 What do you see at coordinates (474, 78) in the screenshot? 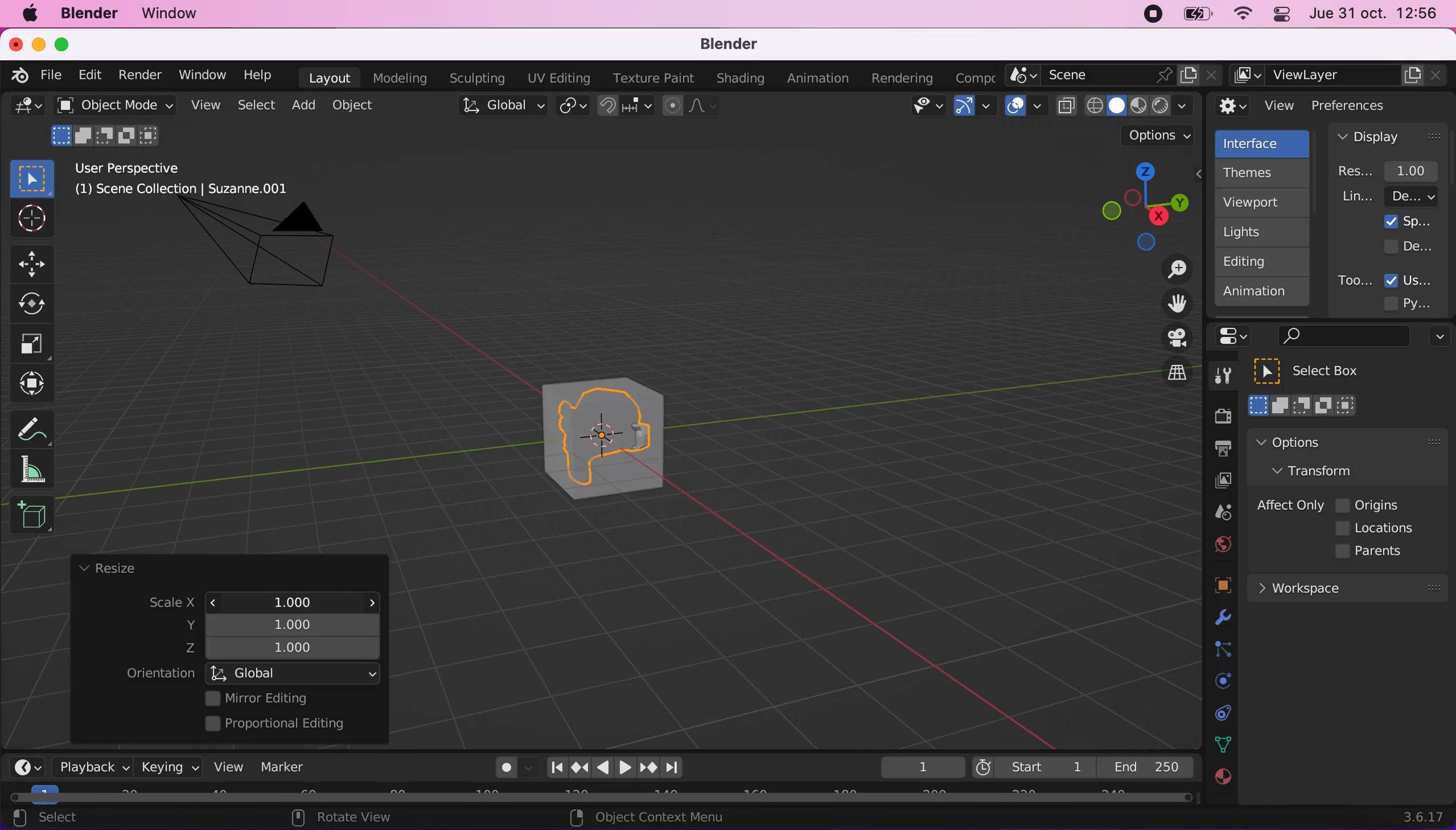
I see `sculpting` at bounding box center [474, 78].